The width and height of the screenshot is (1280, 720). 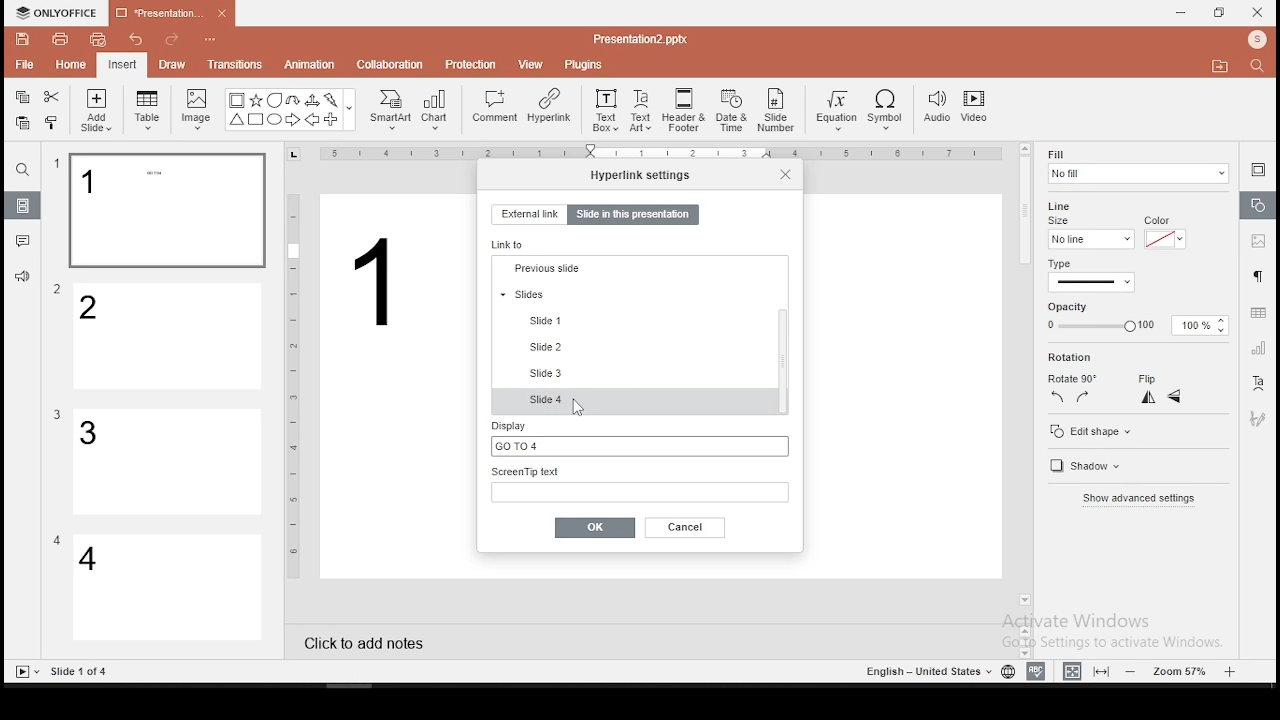 I want to click on clone formatting, so click(x=52, y=122).